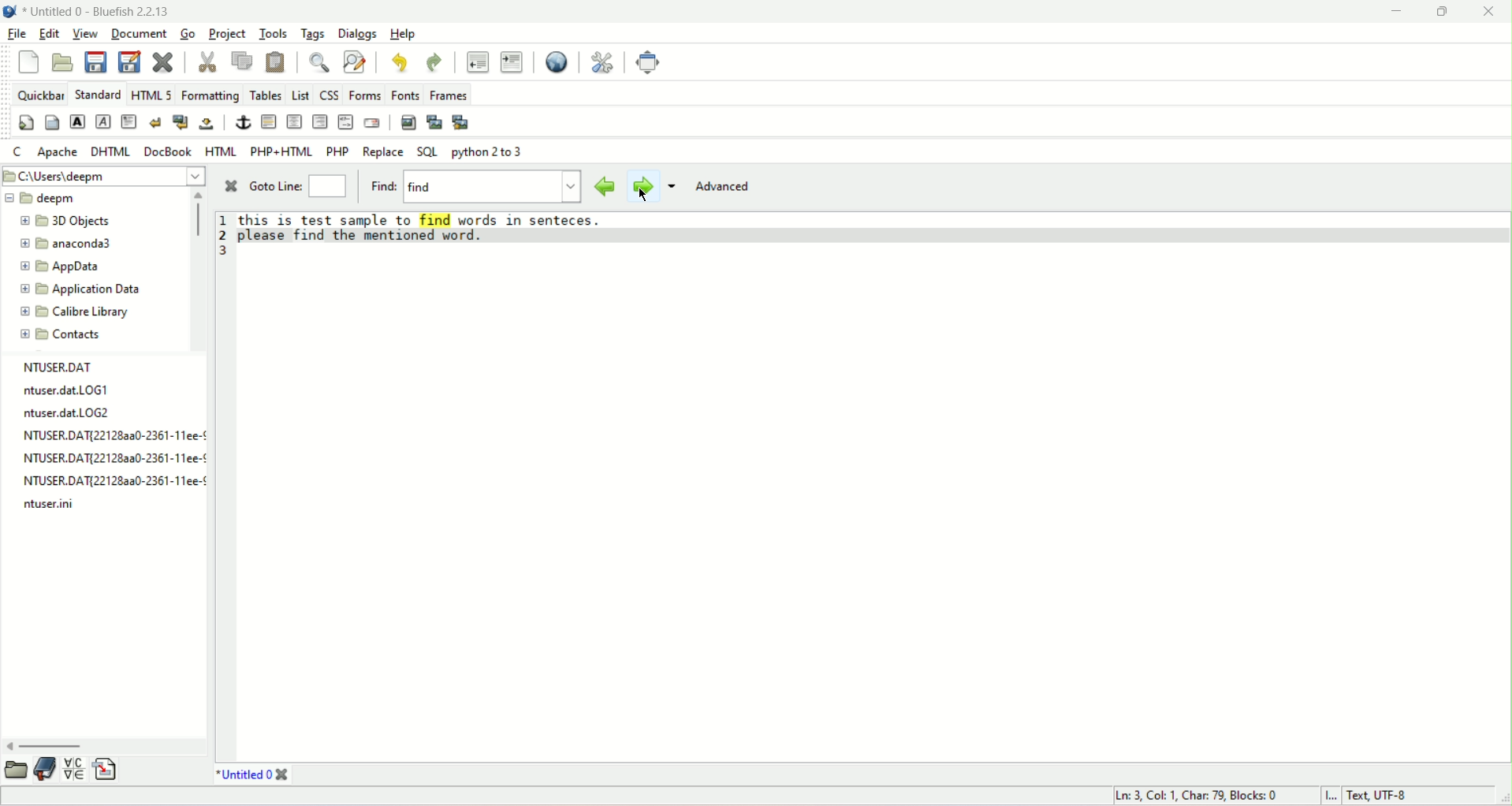  What do you see at coordinates (280, 151) in the screenshot?
I see `PHP+HTML` at bounding box center [280, 151].